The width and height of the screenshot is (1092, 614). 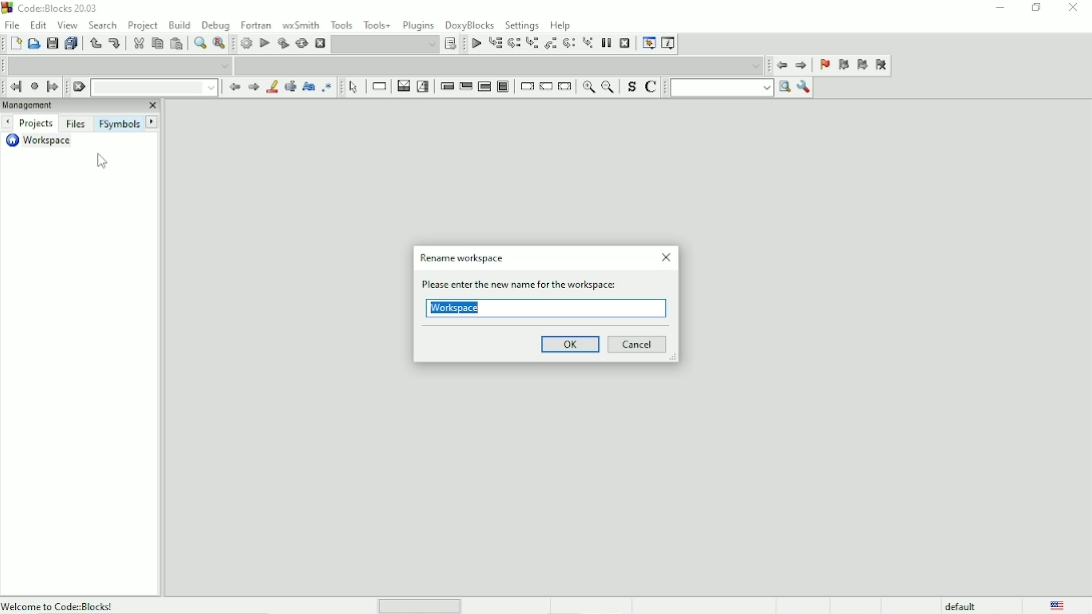 What do you see at coordinates (354, 87) in the screenshot?
I see `Select` at bounding box center [354, 87].